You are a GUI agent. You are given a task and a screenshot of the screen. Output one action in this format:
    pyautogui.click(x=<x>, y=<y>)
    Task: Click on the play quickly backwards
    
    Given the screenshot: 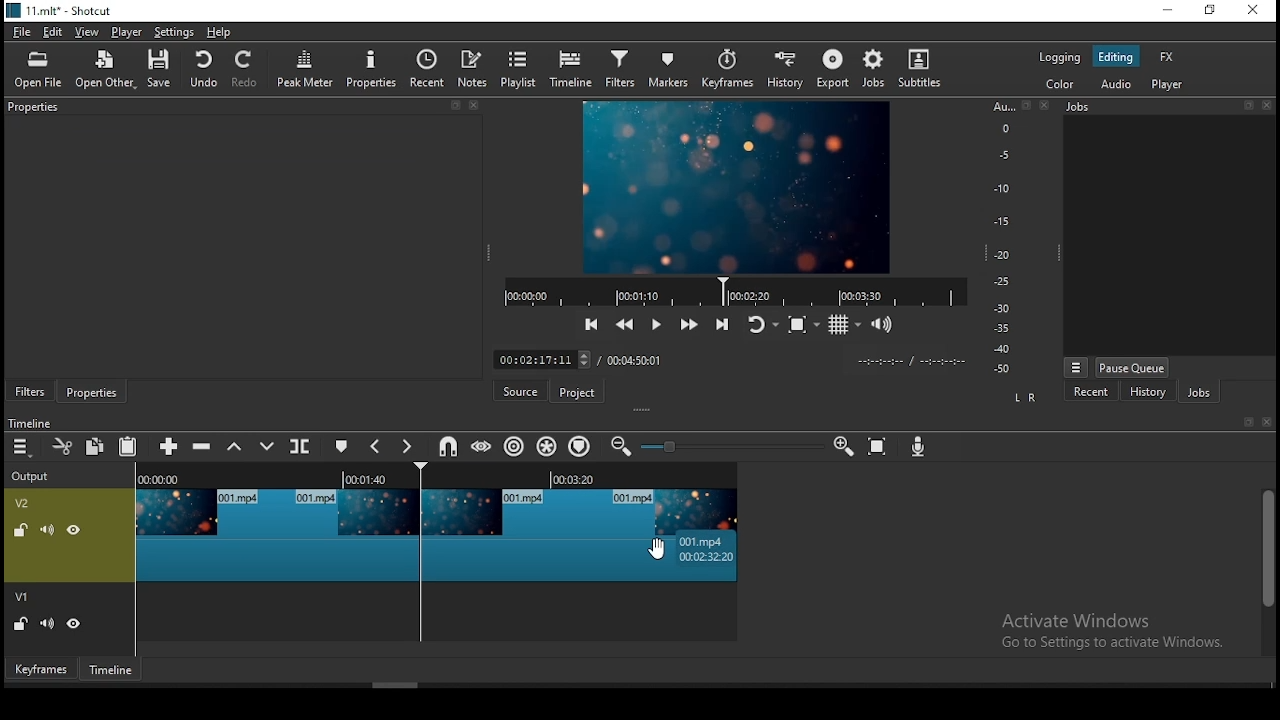 What is the action you would take?
    pyautogui.click(x=625, y=324)
    